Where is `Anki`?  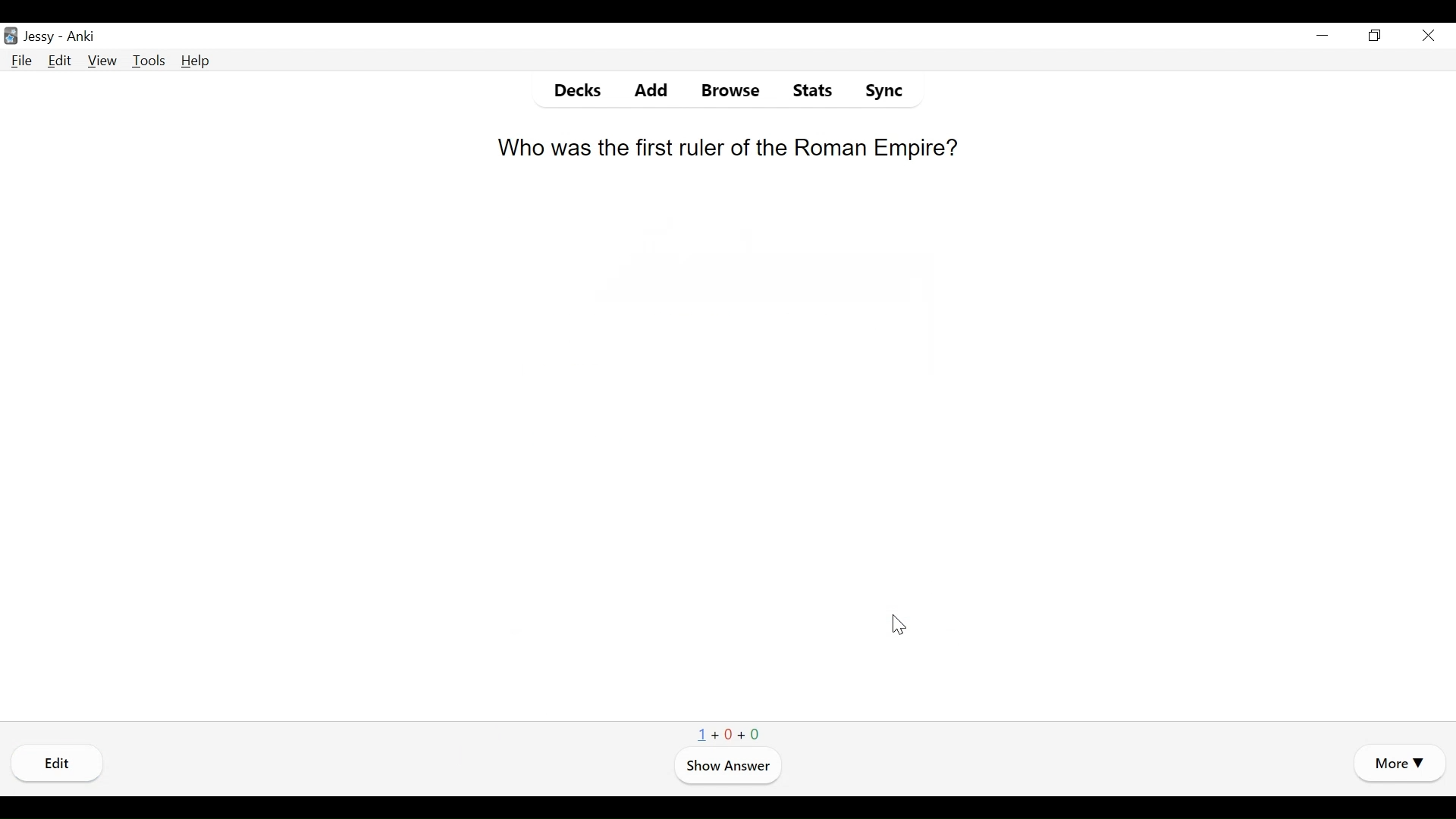
Anki is located at coordinates (83, 38).